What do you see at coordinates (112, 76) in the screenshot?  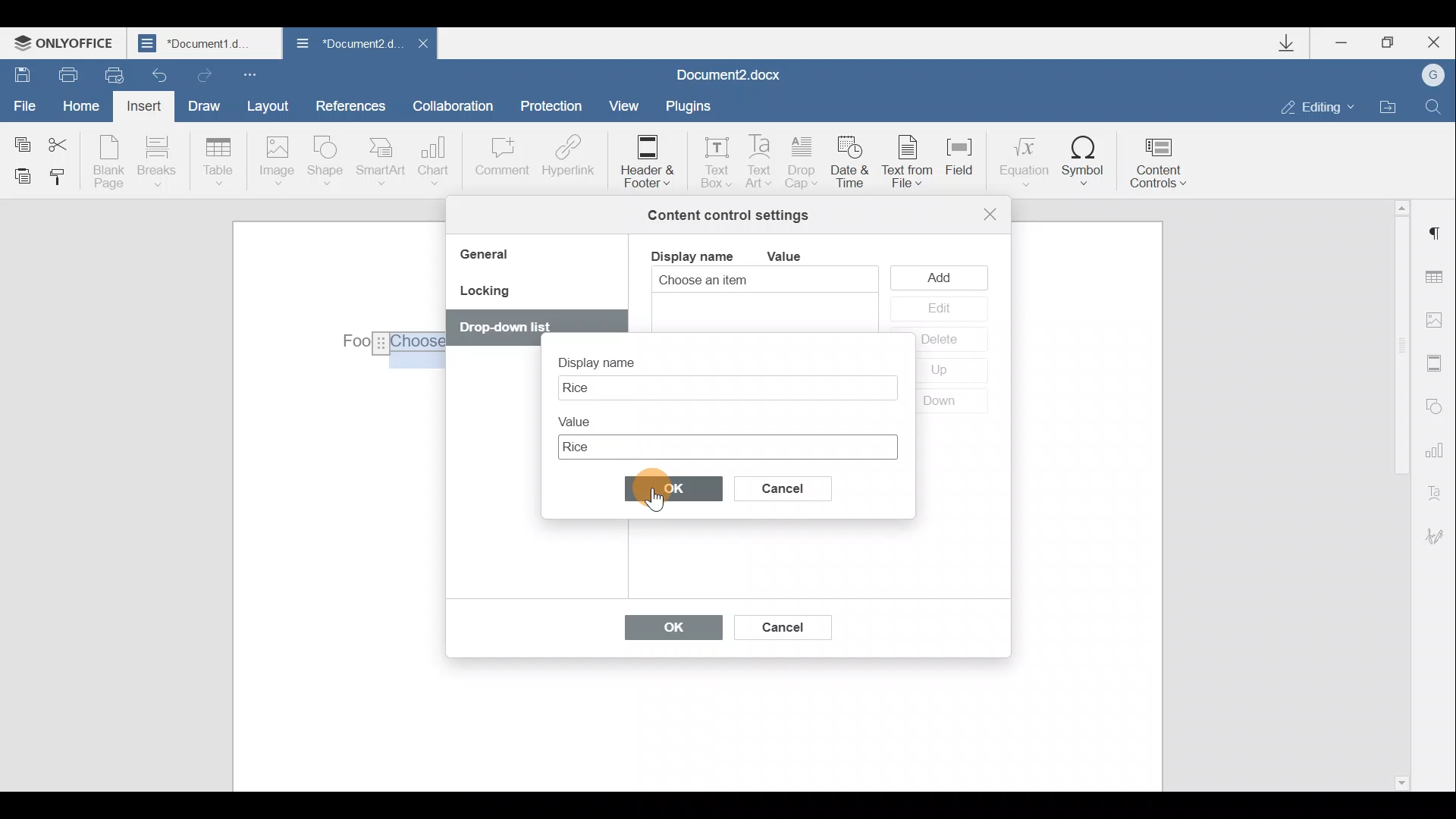 I see `Quick print` at bounding box center [112, 76].